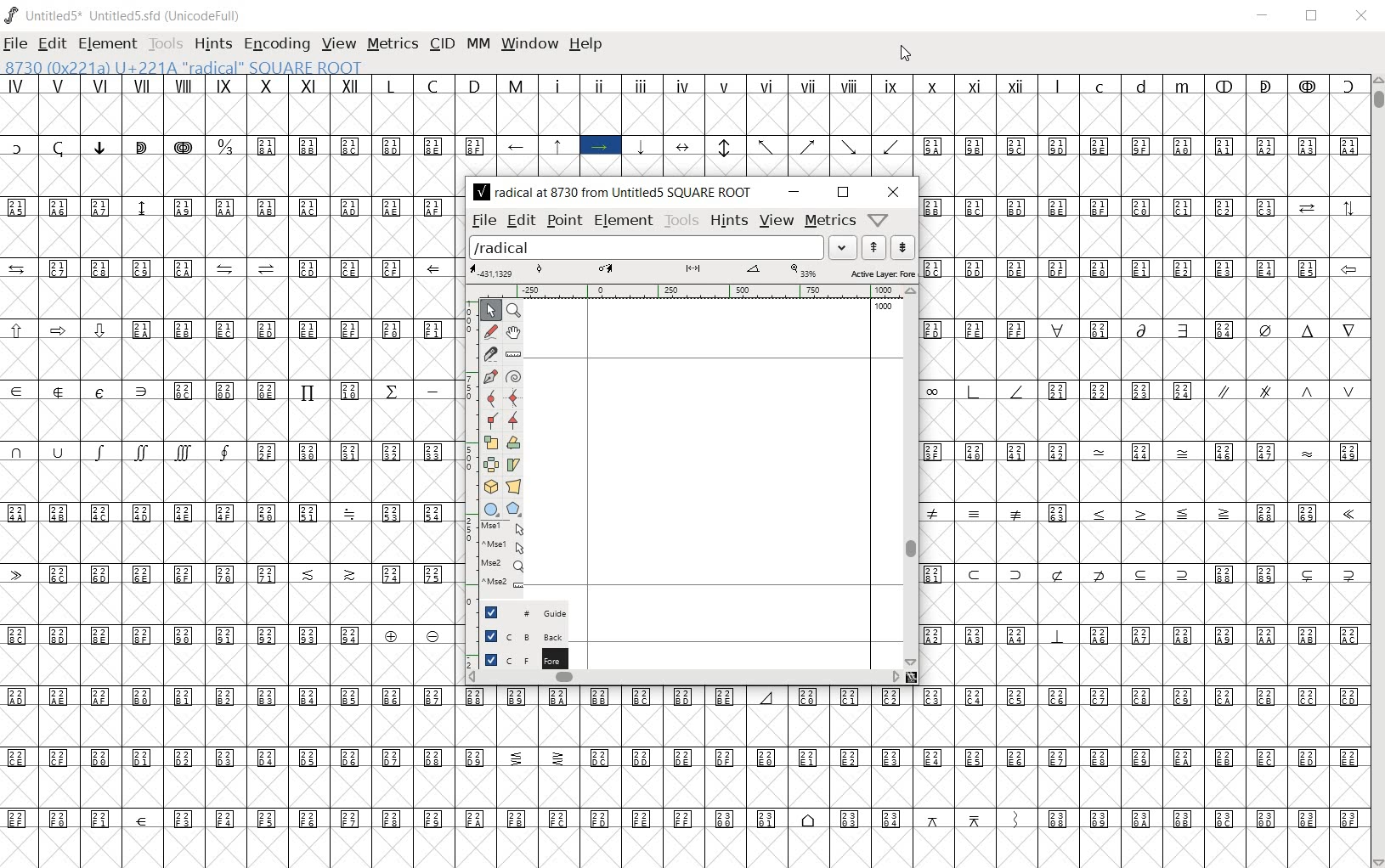 The width and height of the screenshot is (1385, 868). I want to click on add a point, then drag out its control points, so click(489, 376).